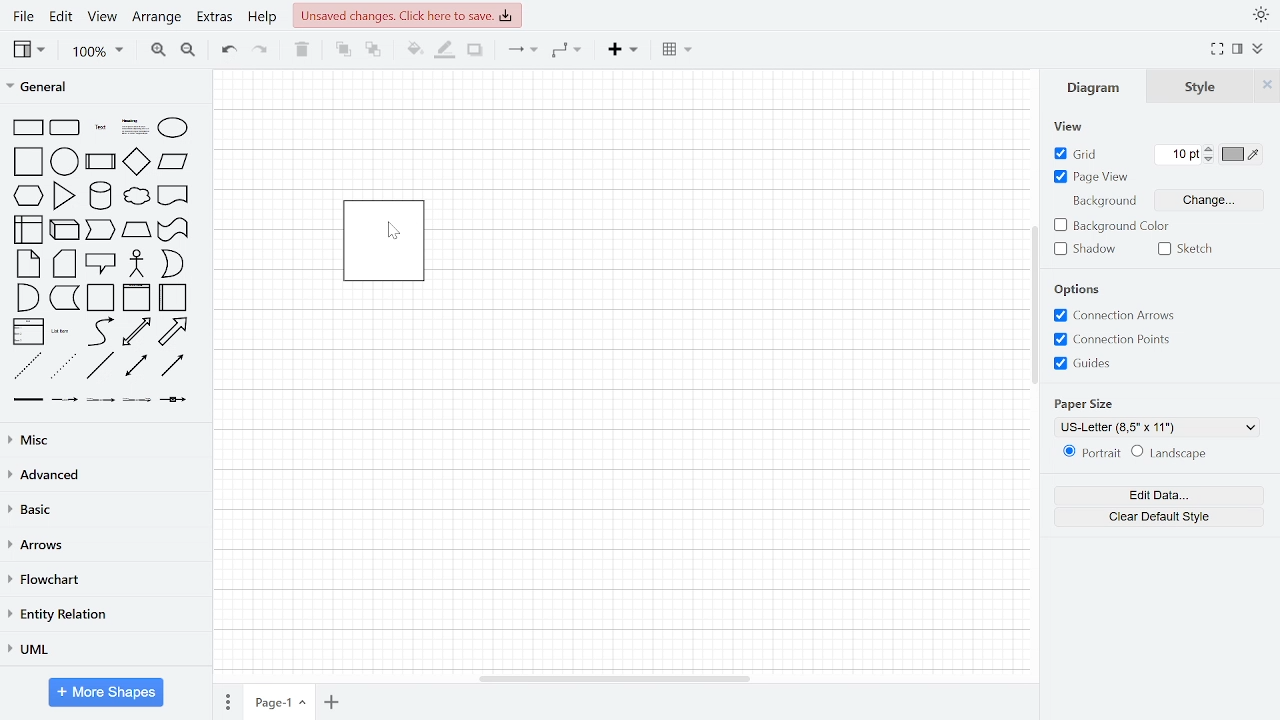  I want to click on rectangle, so click(28, 128).